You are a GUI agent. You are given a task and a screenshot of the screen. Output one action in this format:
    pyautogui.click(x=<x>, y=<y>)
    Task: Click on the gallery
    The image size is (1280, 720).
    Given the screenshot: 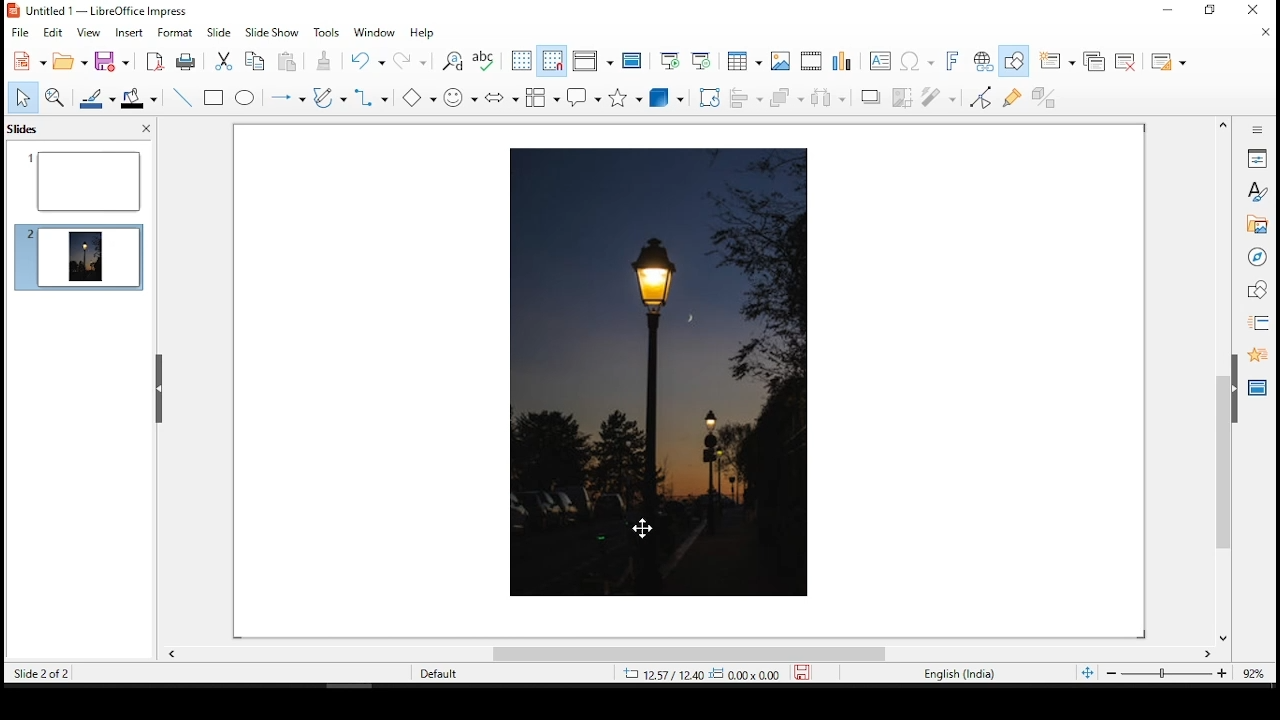 What is the action you would take?
    pyautogui.click(x=1257, y=225)
    